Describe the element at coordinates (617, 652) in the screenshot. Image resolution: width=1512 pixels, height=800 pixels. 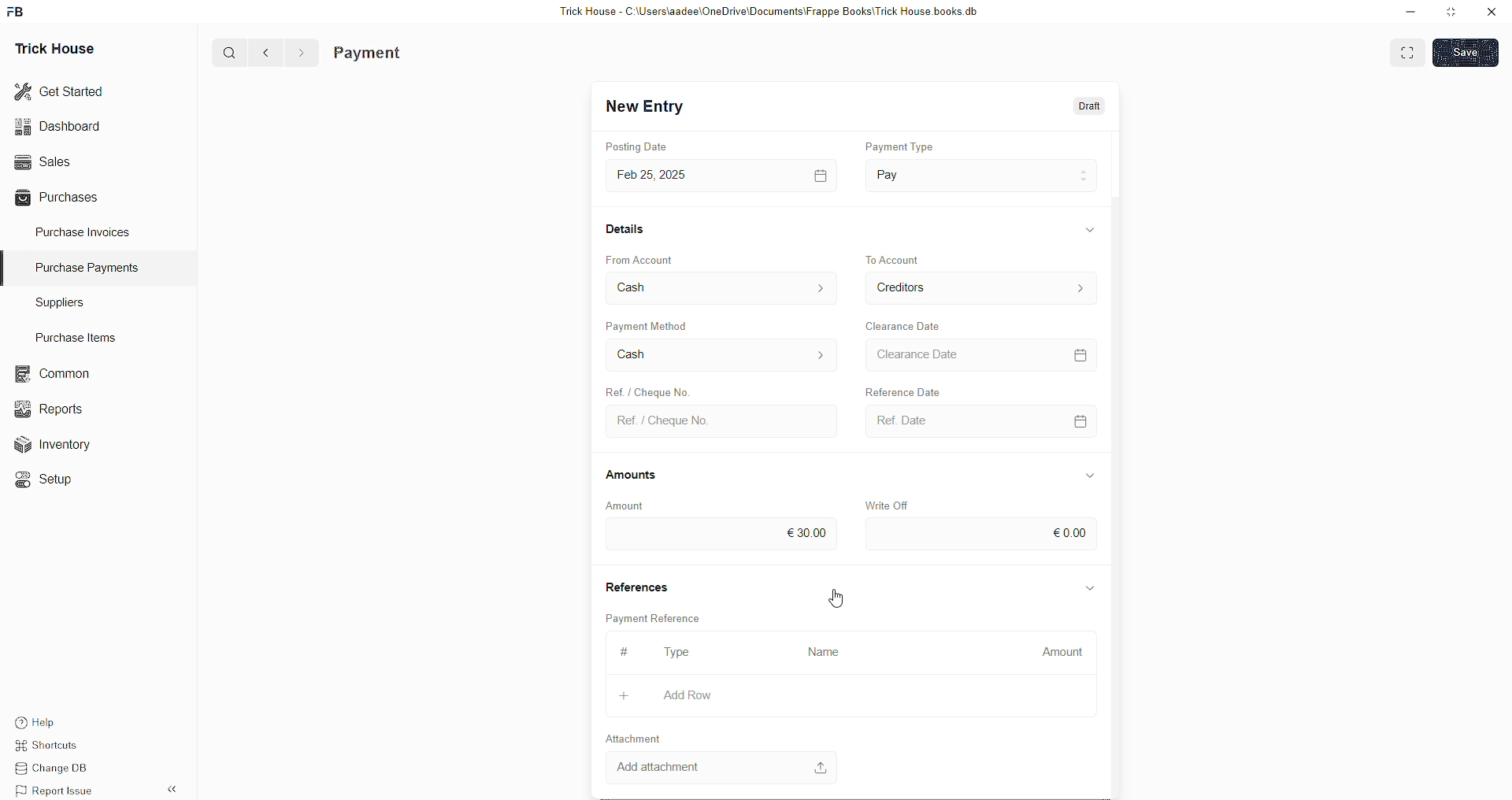
I see `#` at that location.